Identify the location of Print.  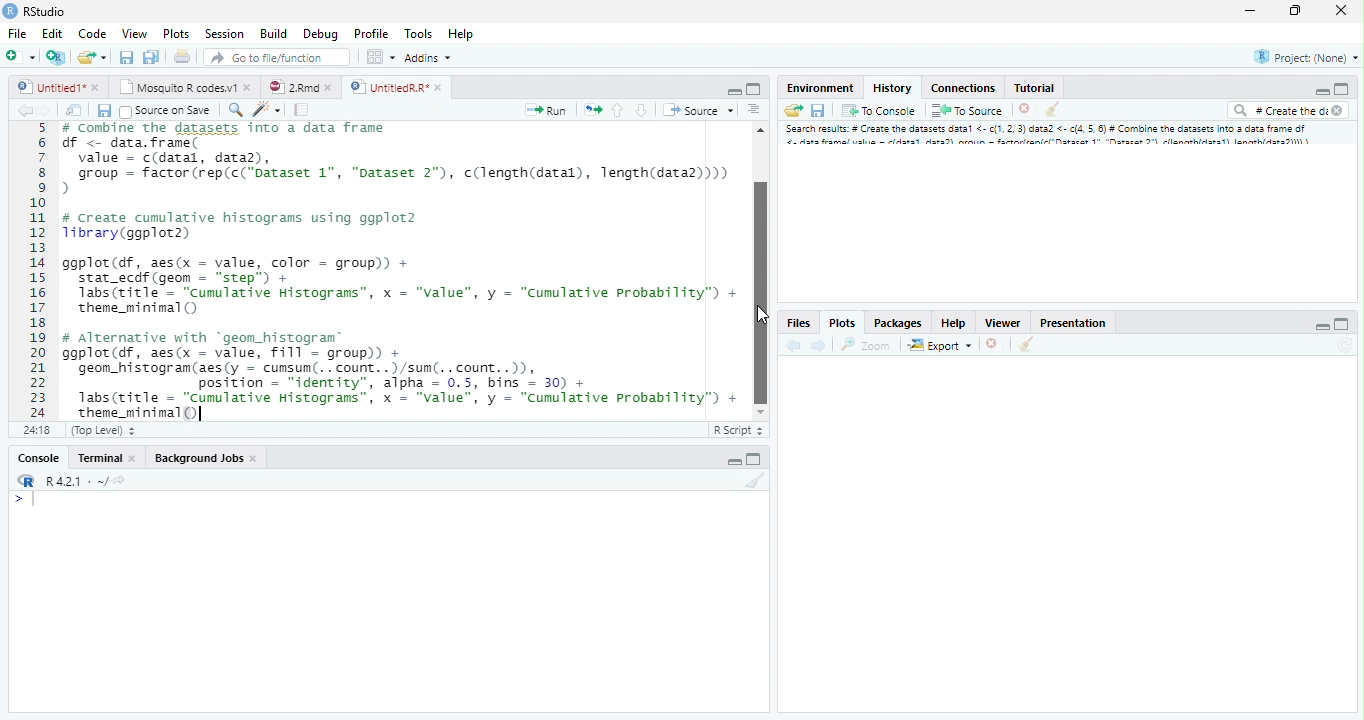
(185, 57).